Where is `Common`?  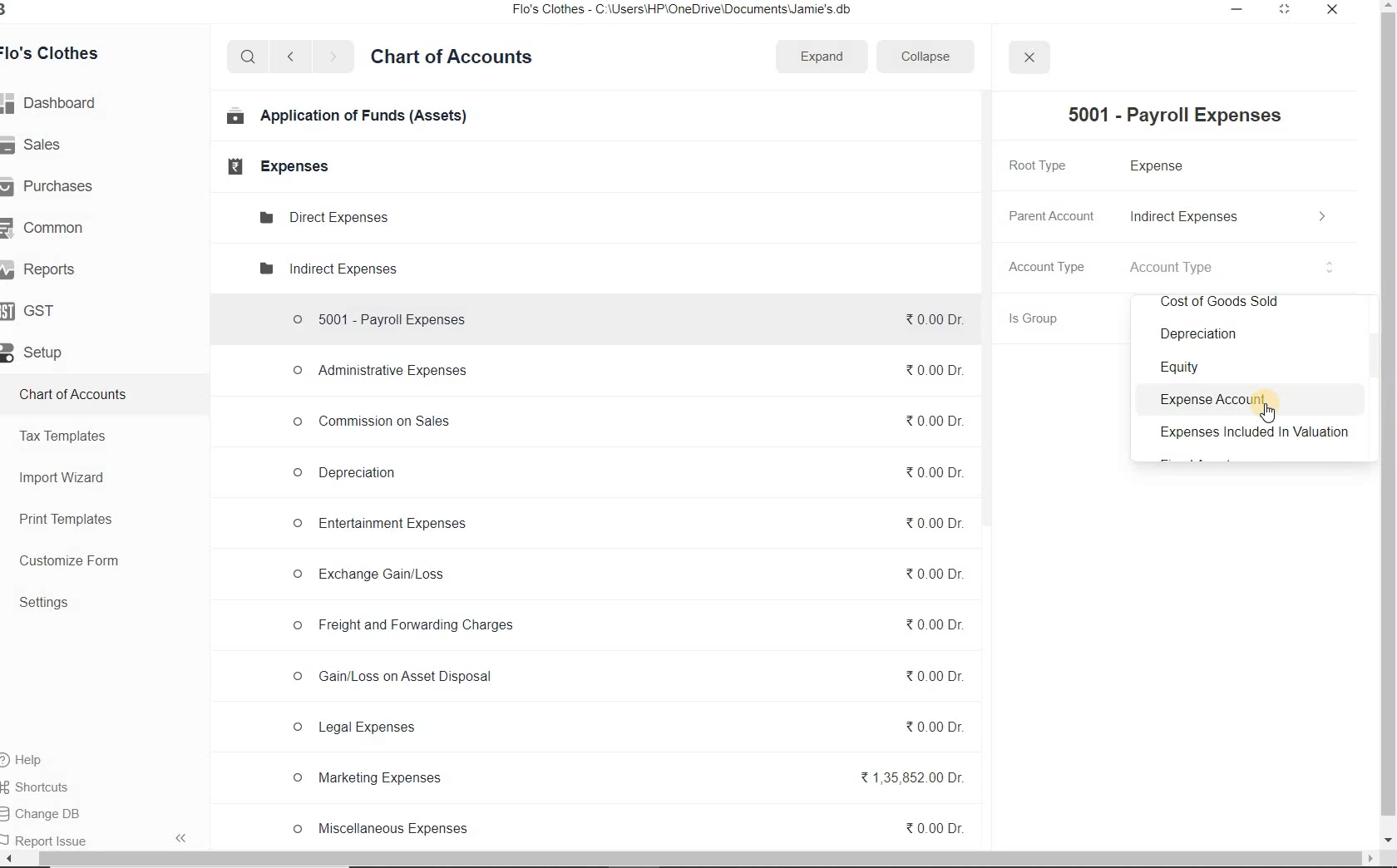
Common is located at coordinates (55, 228).